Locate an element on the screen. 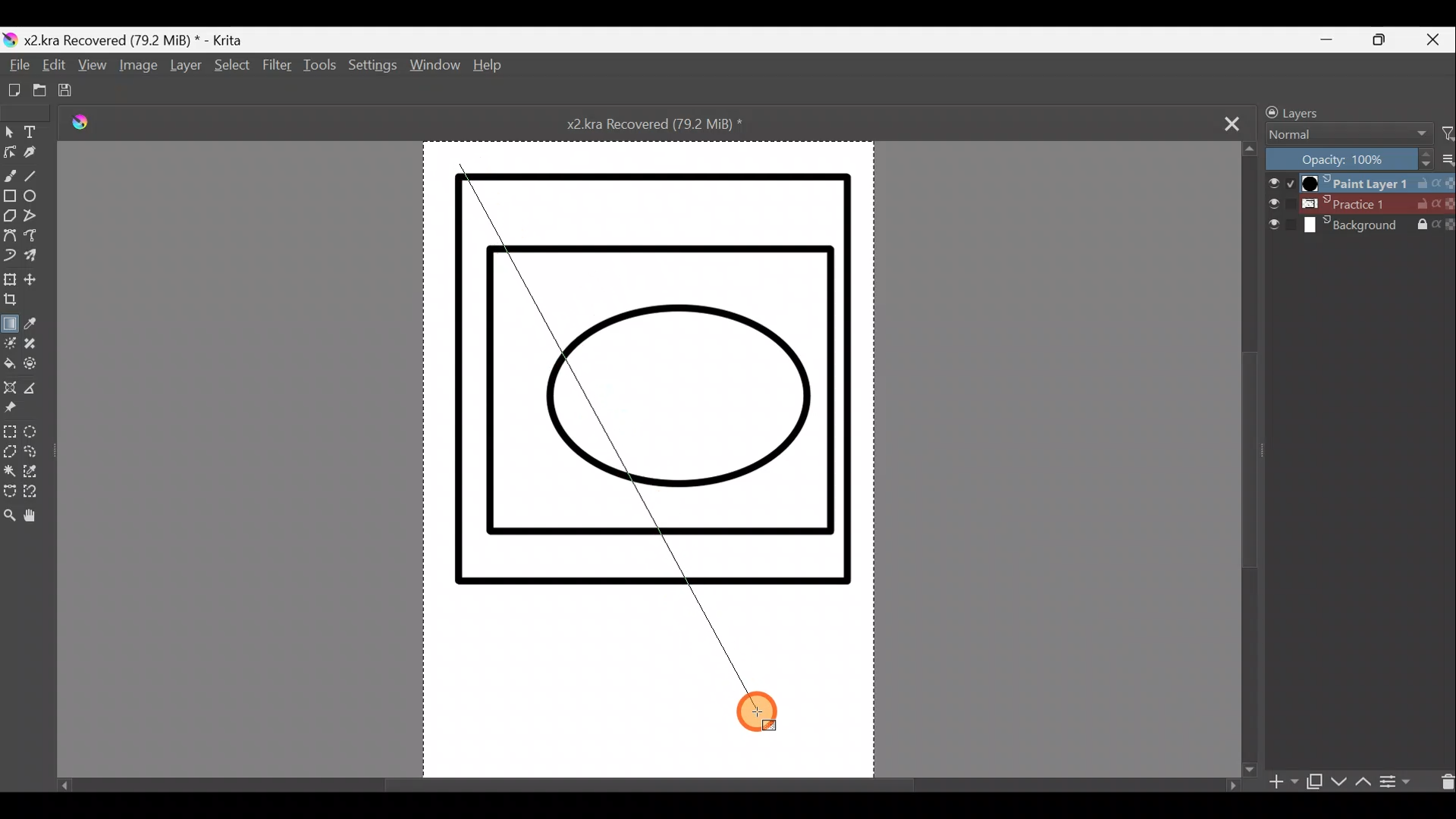  Close tab is located at coordinates (1232, 122).